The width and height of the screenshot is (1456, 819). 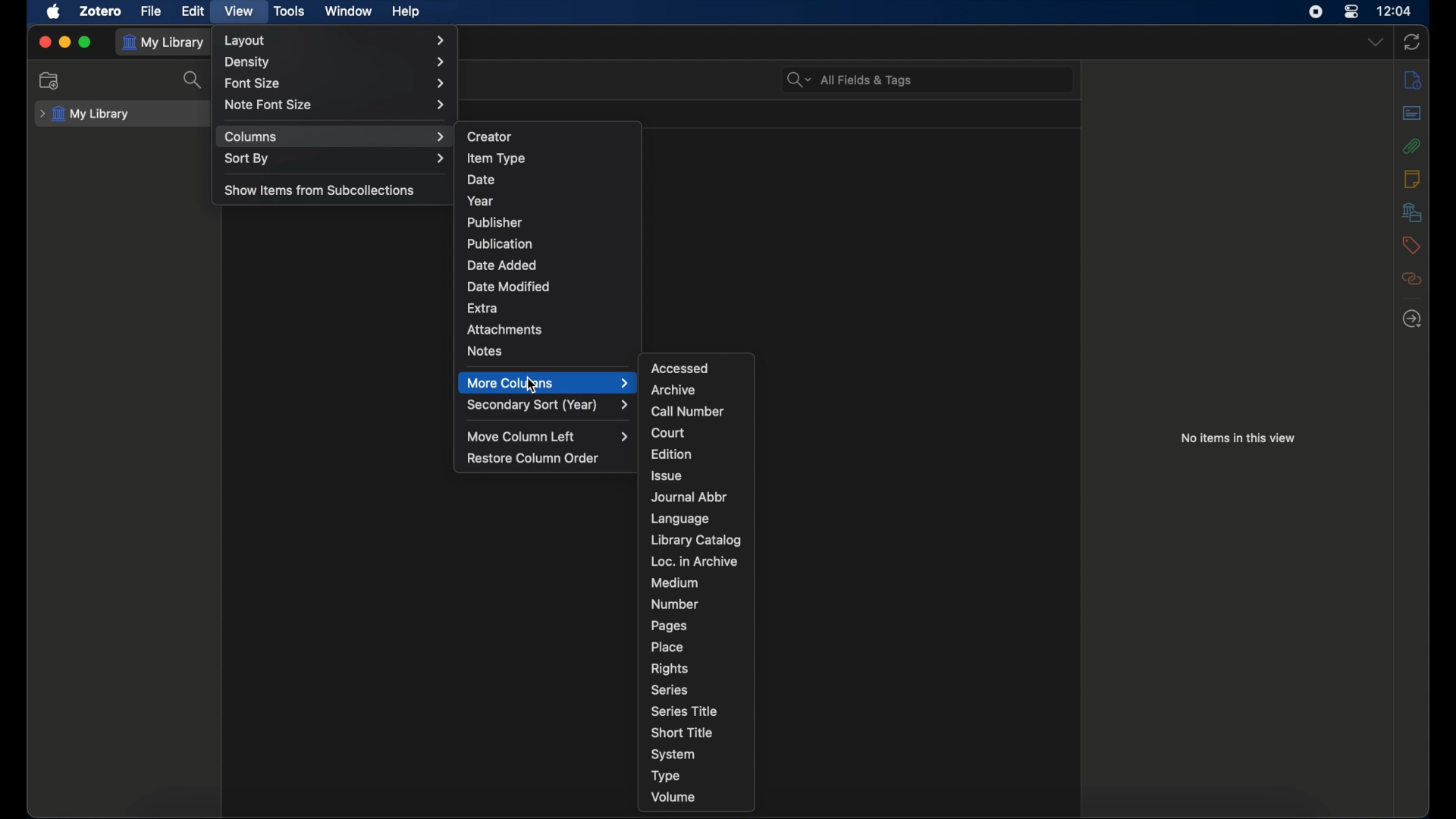 I want to click on notes, so click(x=1411, y=178).